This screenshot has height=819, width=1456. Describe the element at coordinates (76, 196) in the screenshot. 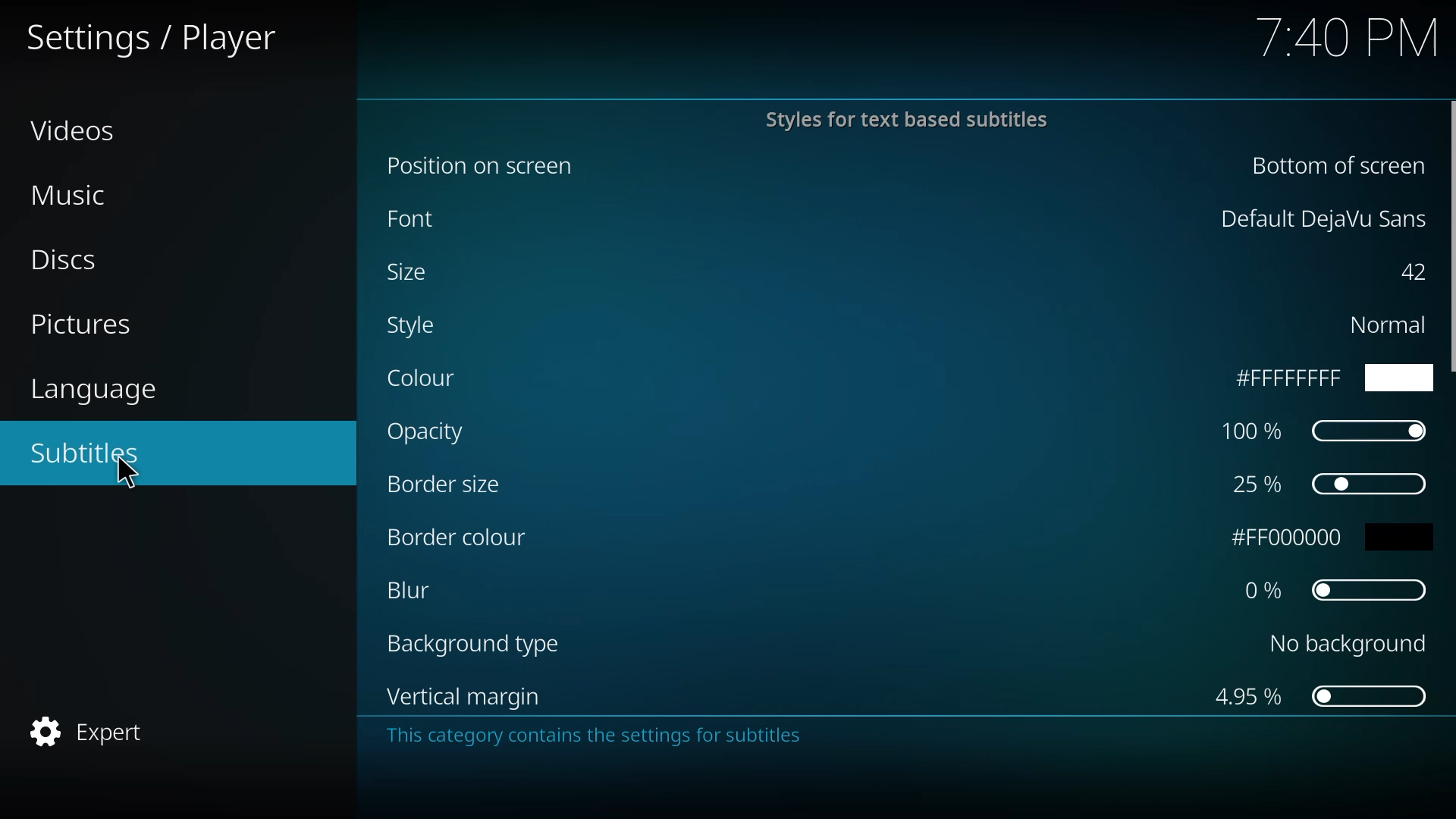

I see `music` at that location.